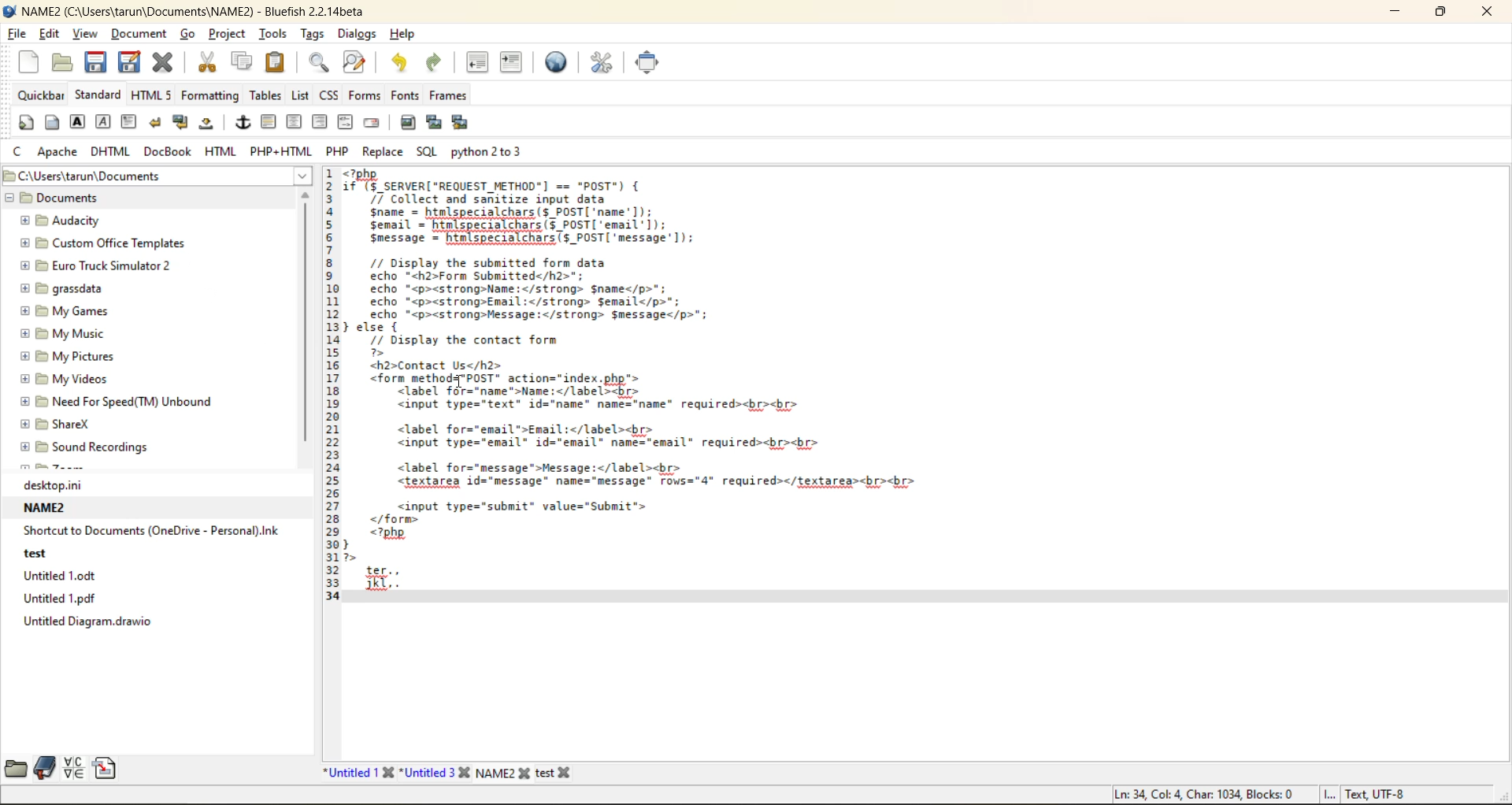 Image resolution: width=1512 pixels, height=805 pixels. I want to click on paste, so click(272, 61).